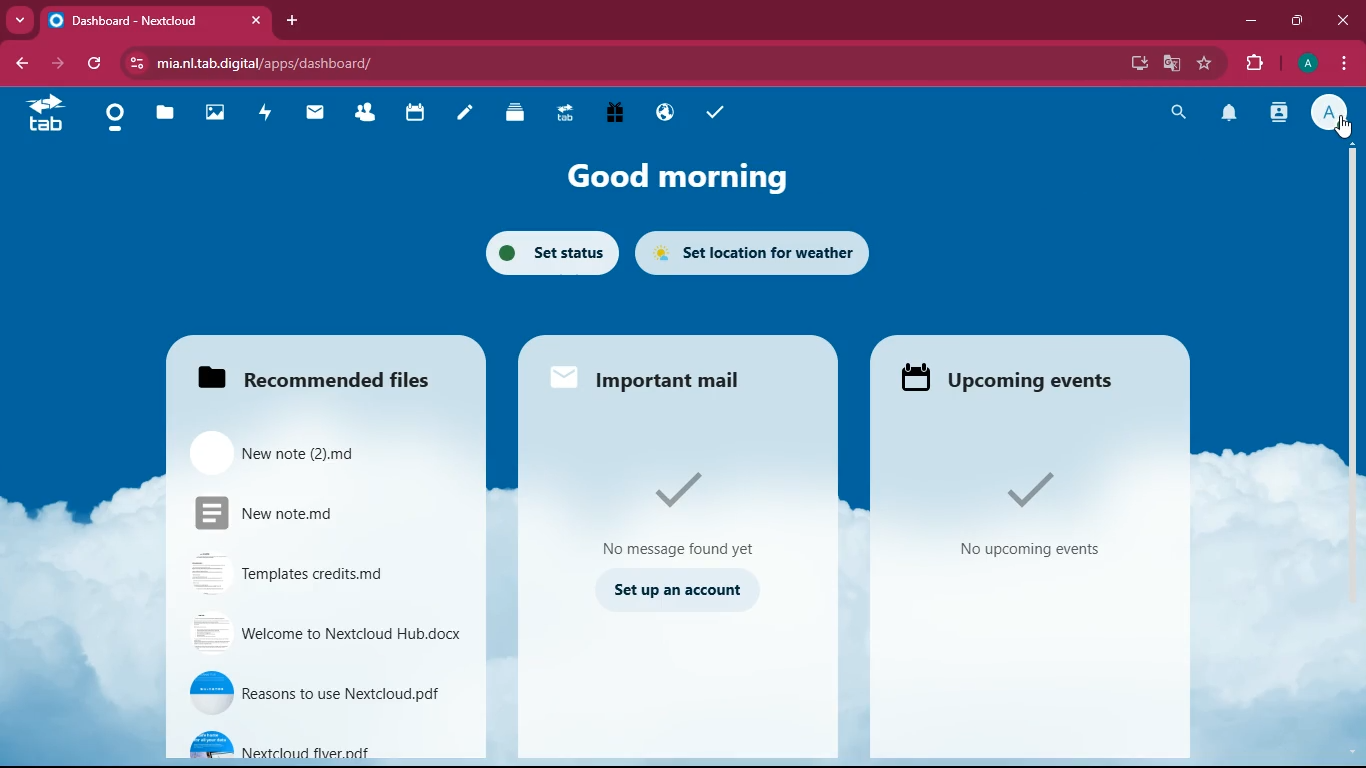 The height and width of the screenshot is (768, 1366). What do you see at coordinates (1028, 550) in the screenshot?
I see `No upcoming events` at bounding box center [1028, 550].